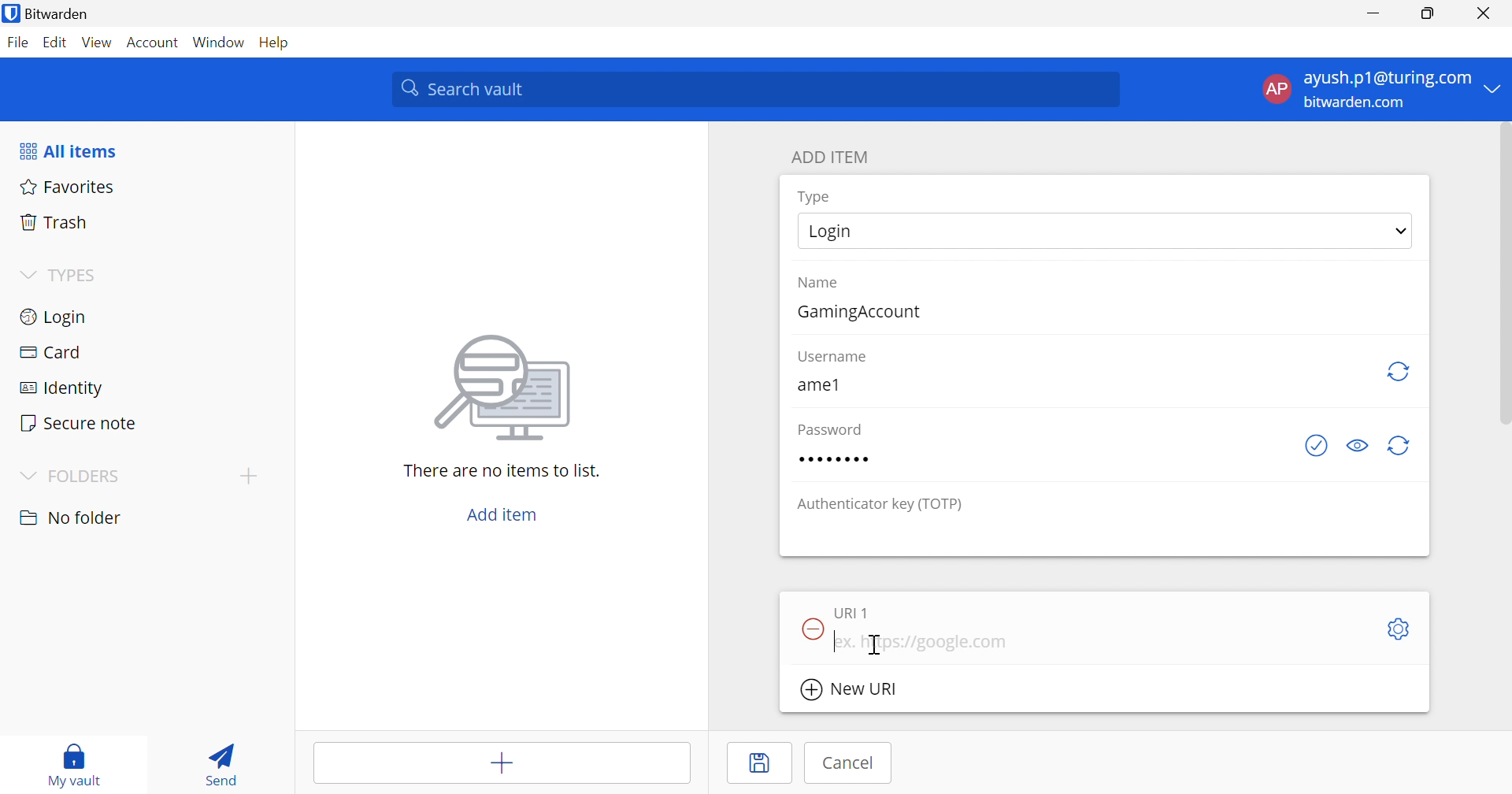 This screenshot has height=794, width=1512. I want to click on Help, so click(273, 43).